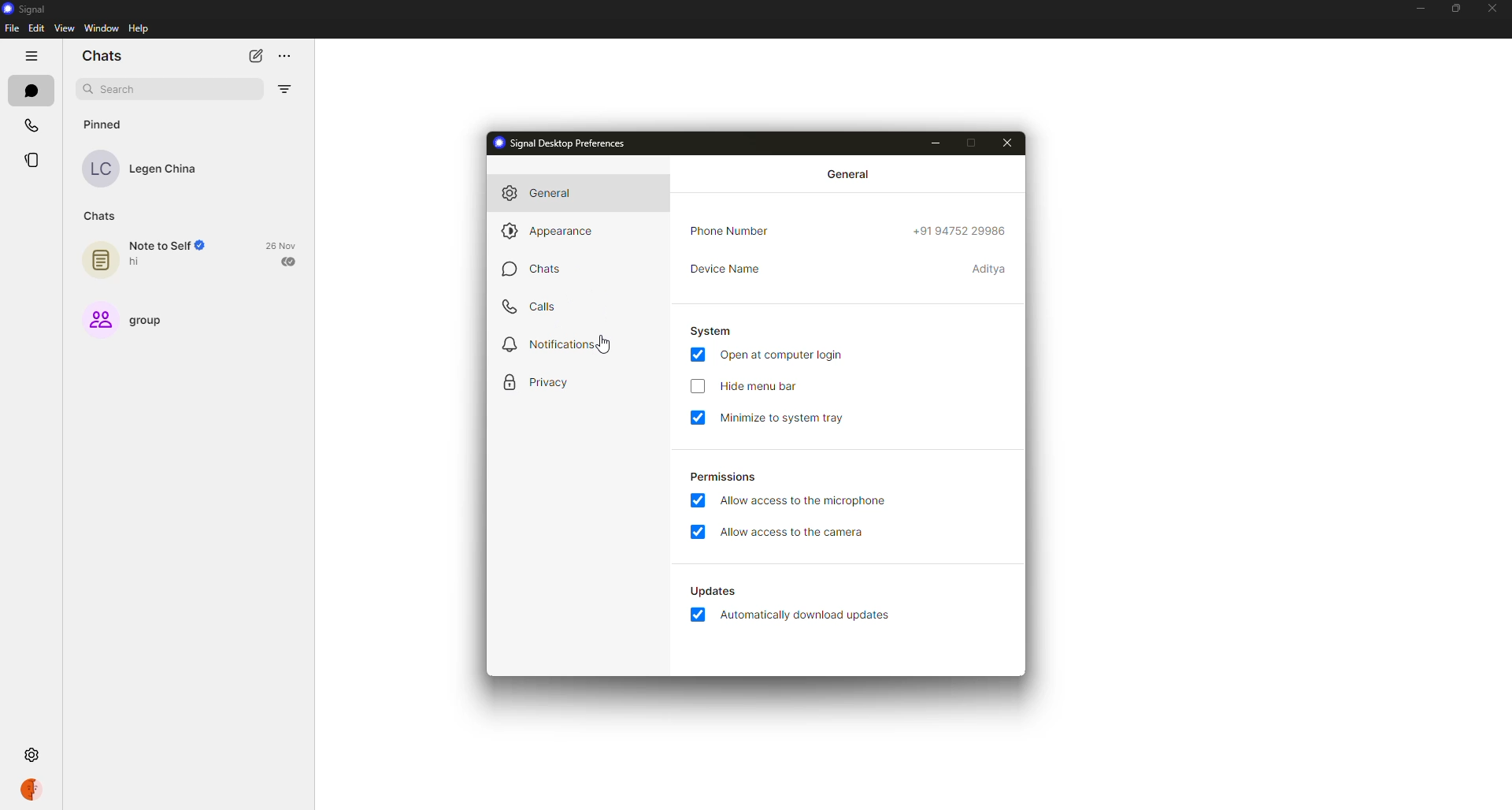 This screenshot has width=1512, height=810. Describe the element at coordinates (1492, 8) in the screenshot. I see `close` at that location.